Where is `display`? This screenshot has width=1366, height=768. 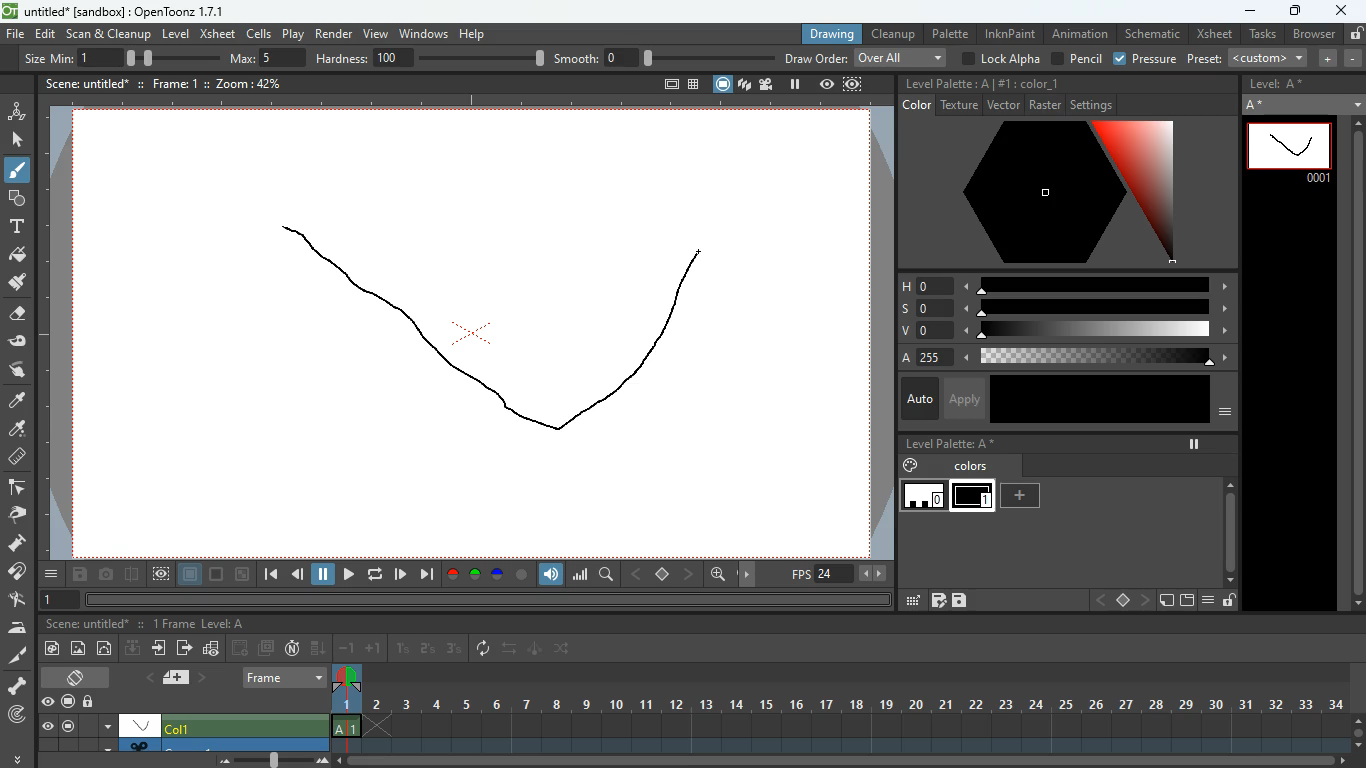
display is located at coordinates (140, 724).